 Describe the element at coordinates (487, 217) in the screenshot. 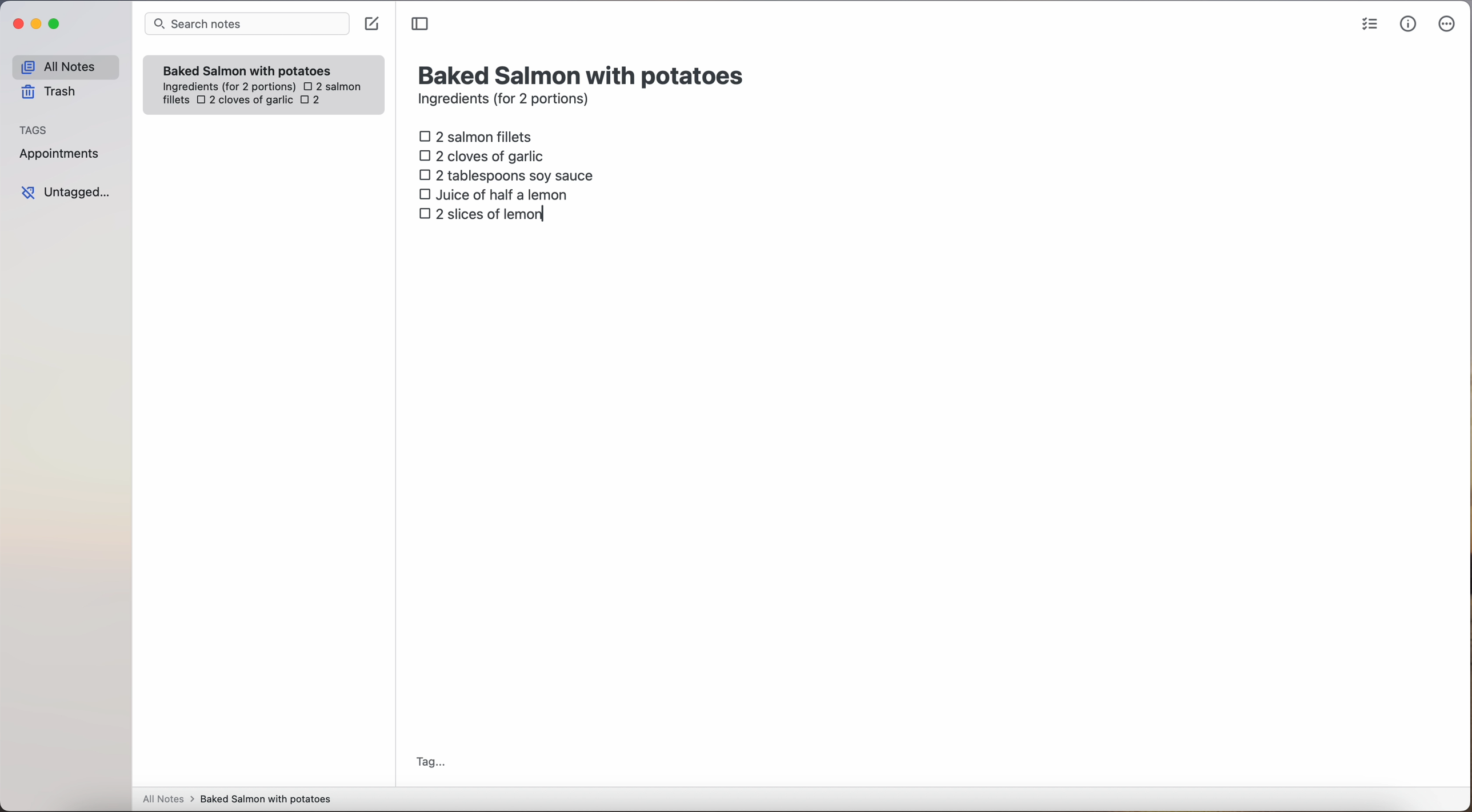

I see `2 slices of lemon` at that location.